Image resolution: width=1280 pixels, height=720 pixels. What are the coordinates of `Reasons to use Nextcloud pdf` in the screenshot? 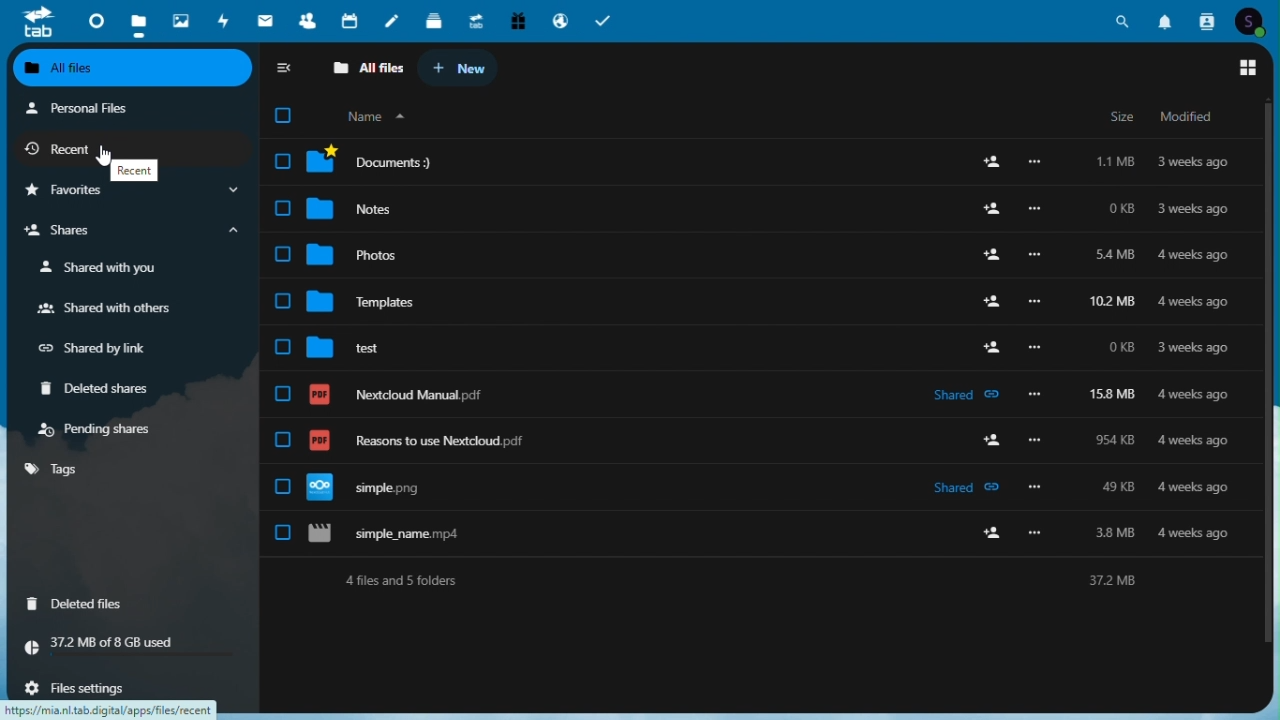 It's located at (747, 434).